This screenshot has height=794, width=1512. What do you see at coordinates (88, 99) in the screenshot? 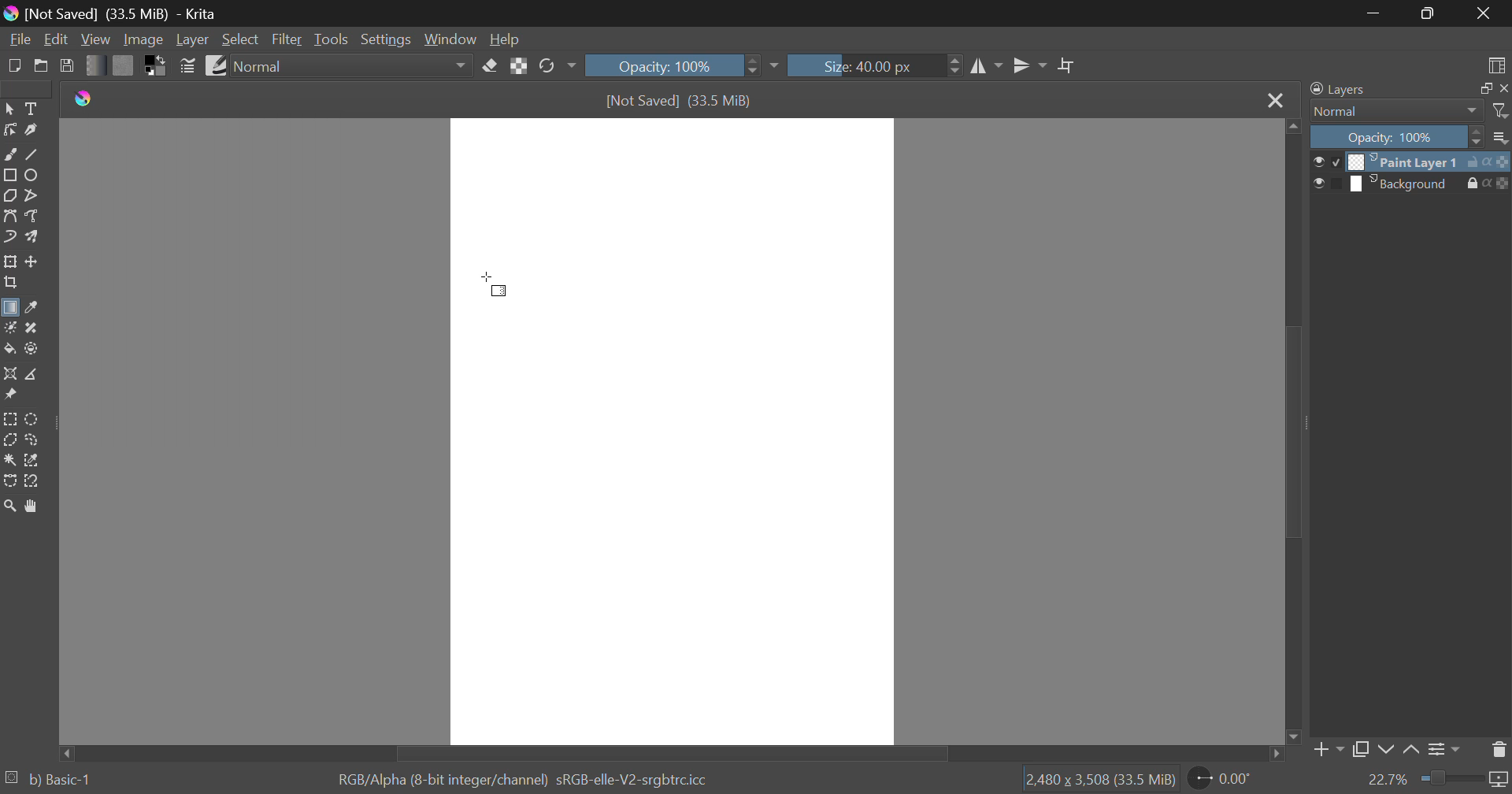
I see `logo` at bounding box center [88, 99].